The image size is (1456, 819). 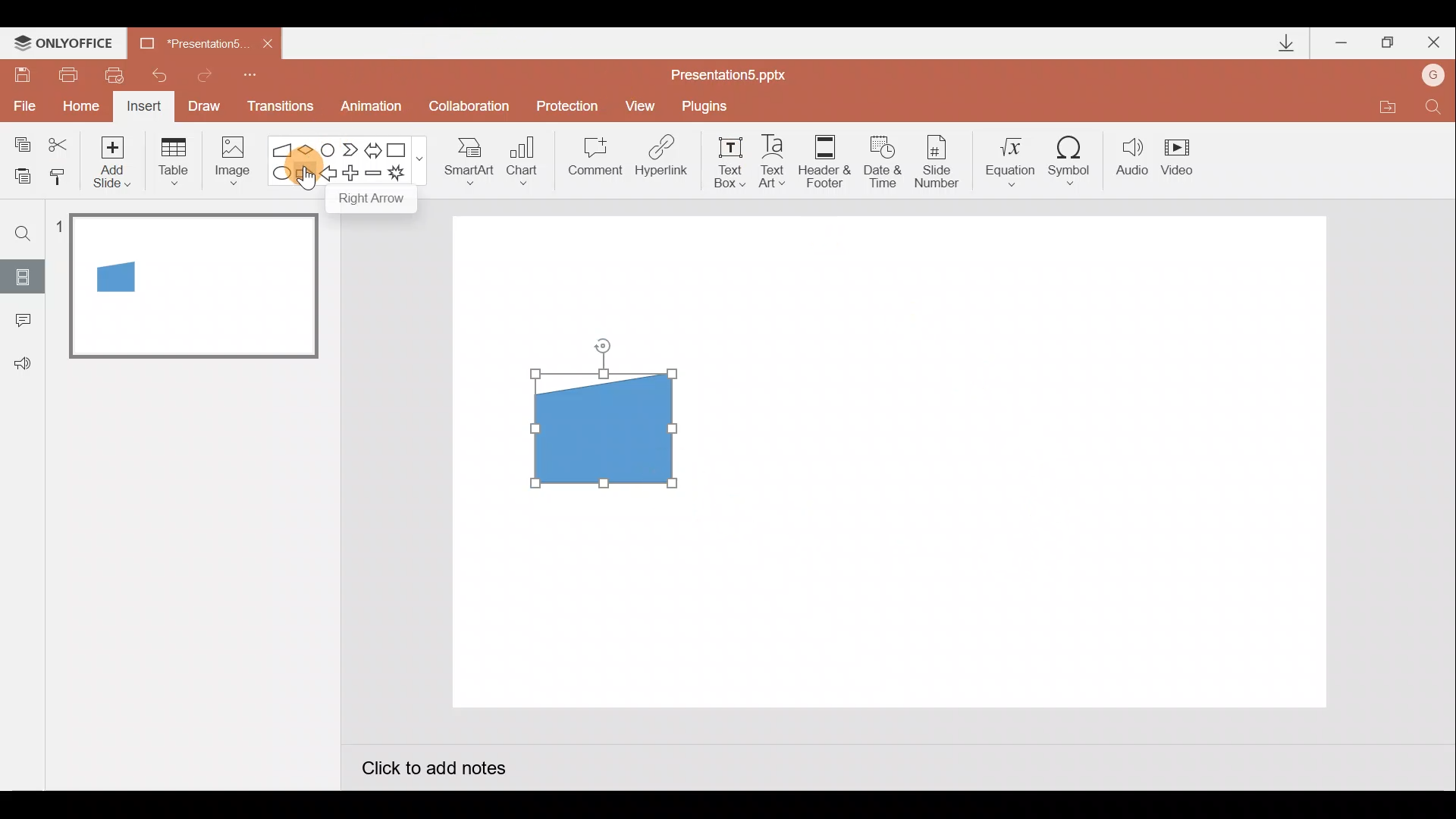 I want to click on Comments, so click(x=19, y=322).